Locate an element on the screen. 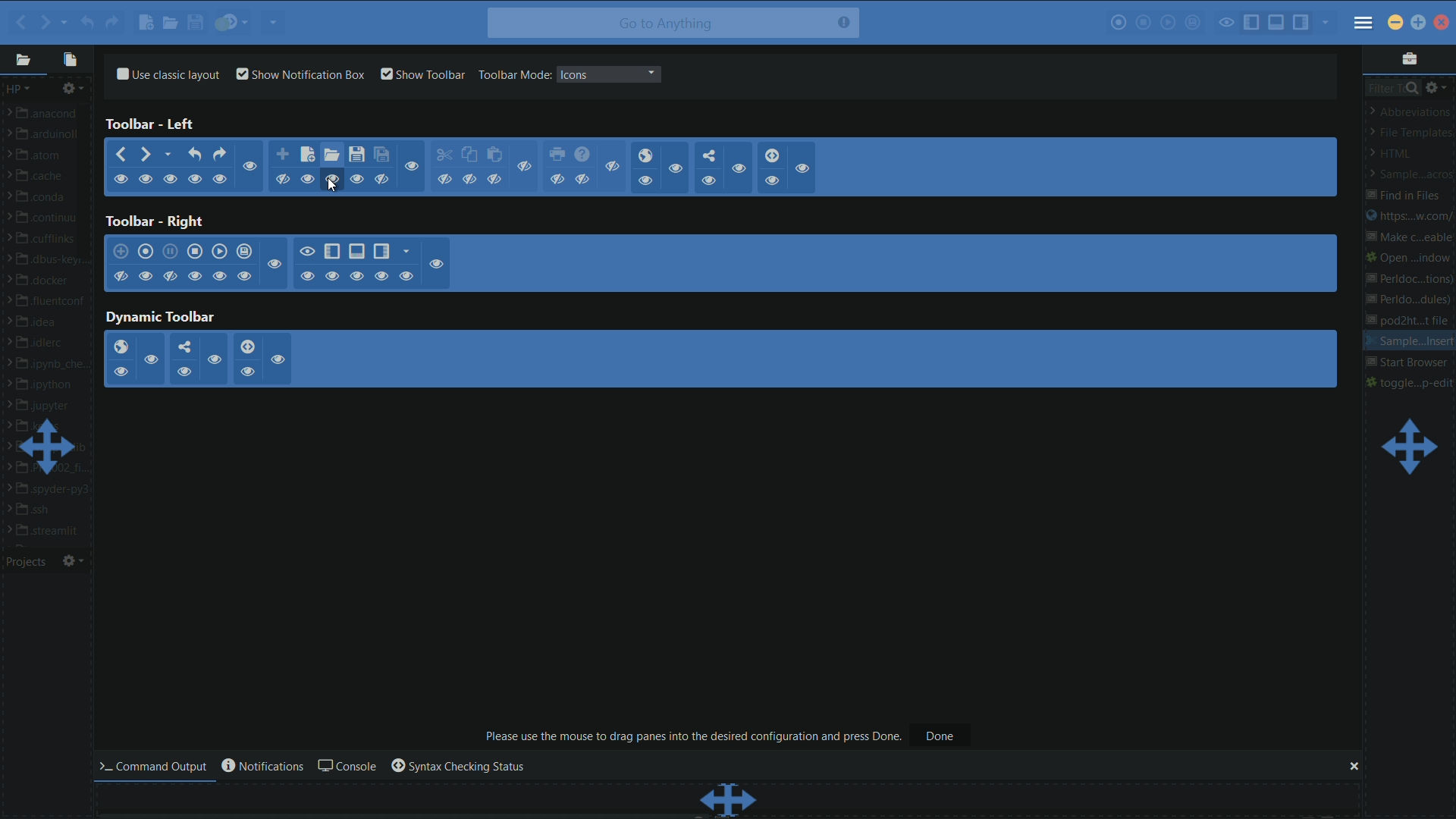 The image size is (1456, 819). .idlerc is located at coordinates (48, 344).